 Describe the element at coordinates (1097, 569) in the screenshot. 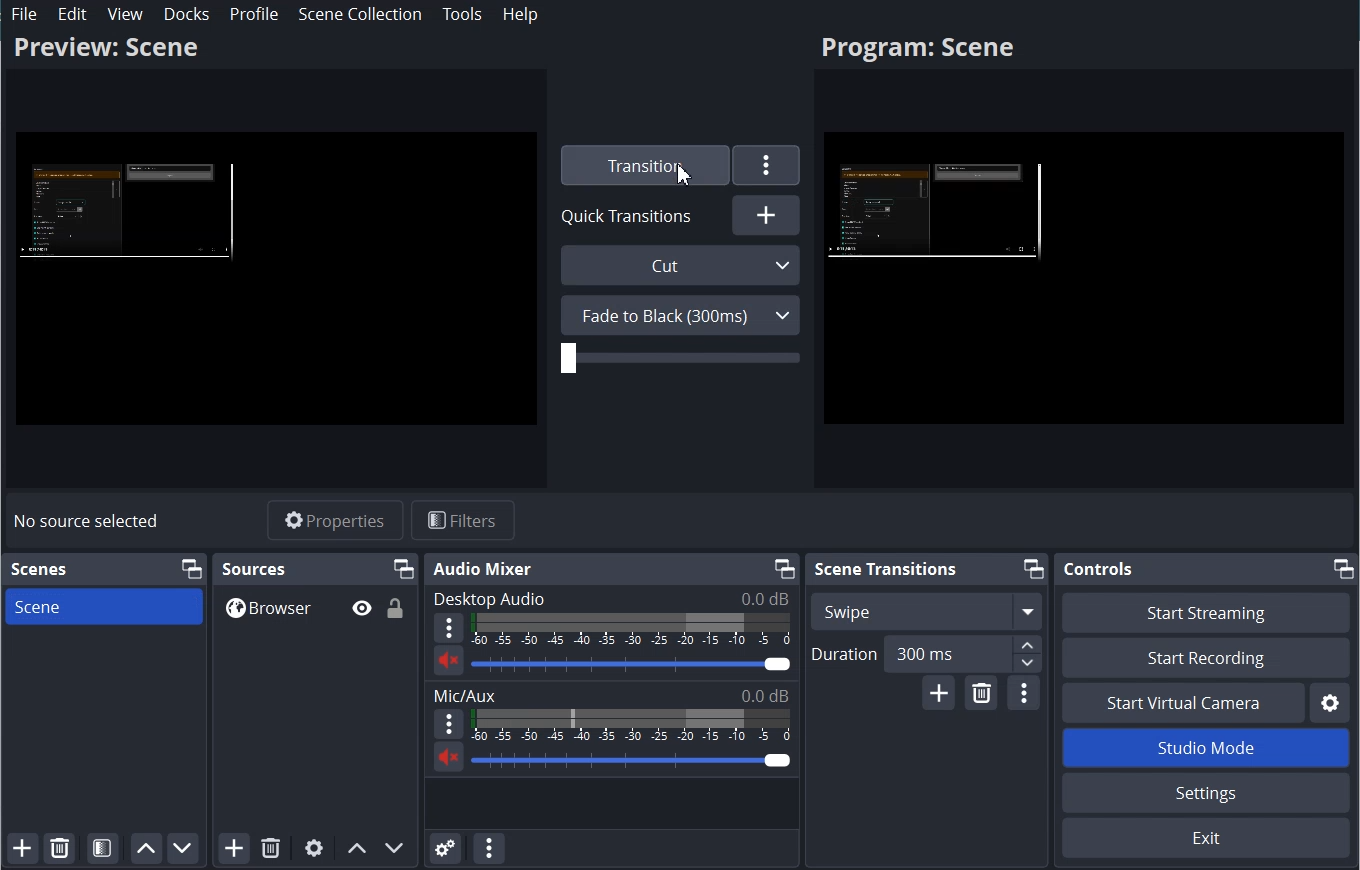

I see `Controls` at that location.